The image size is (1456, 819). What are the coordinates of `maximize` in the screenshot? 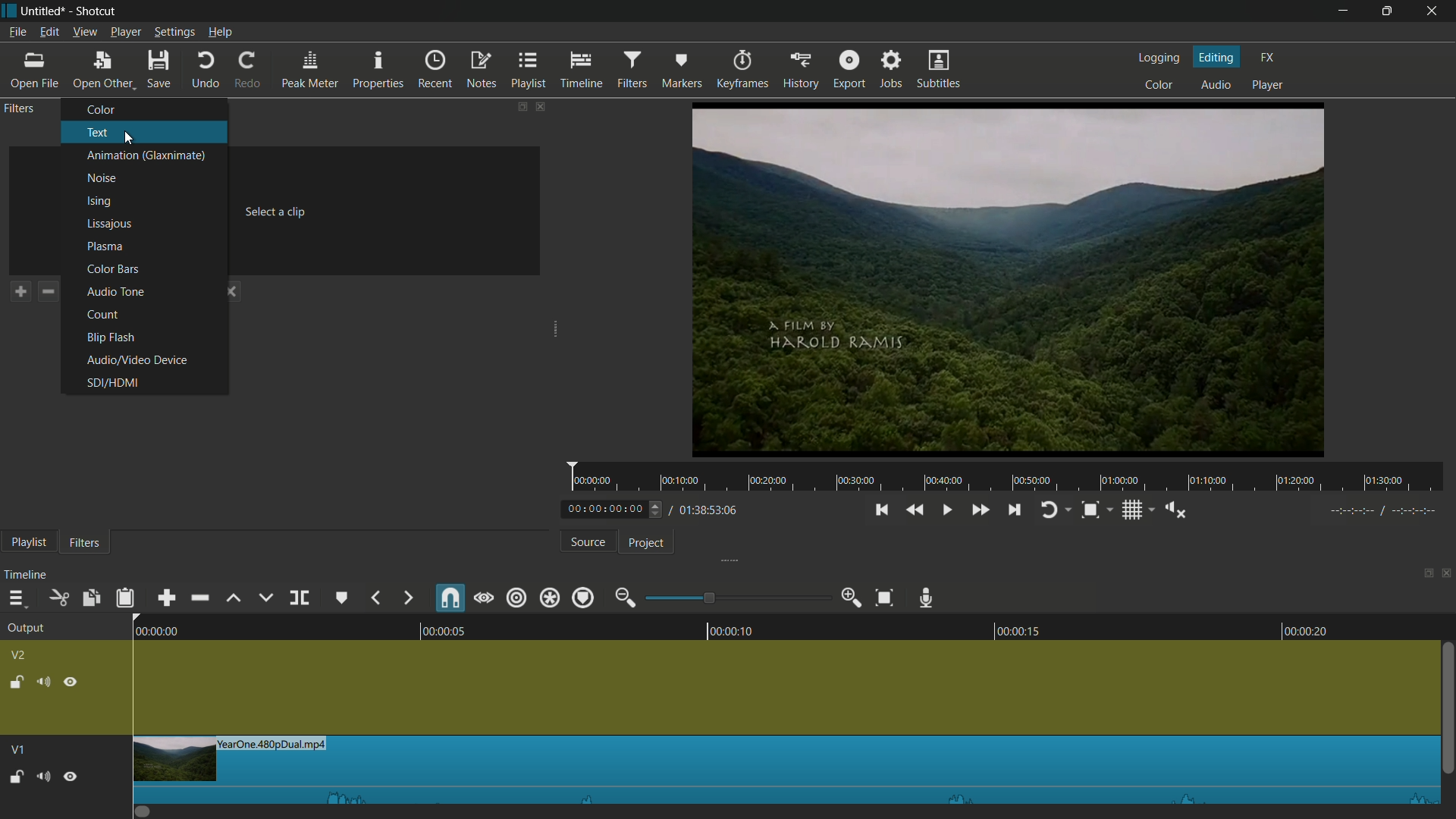 It's located at (1387, 11).